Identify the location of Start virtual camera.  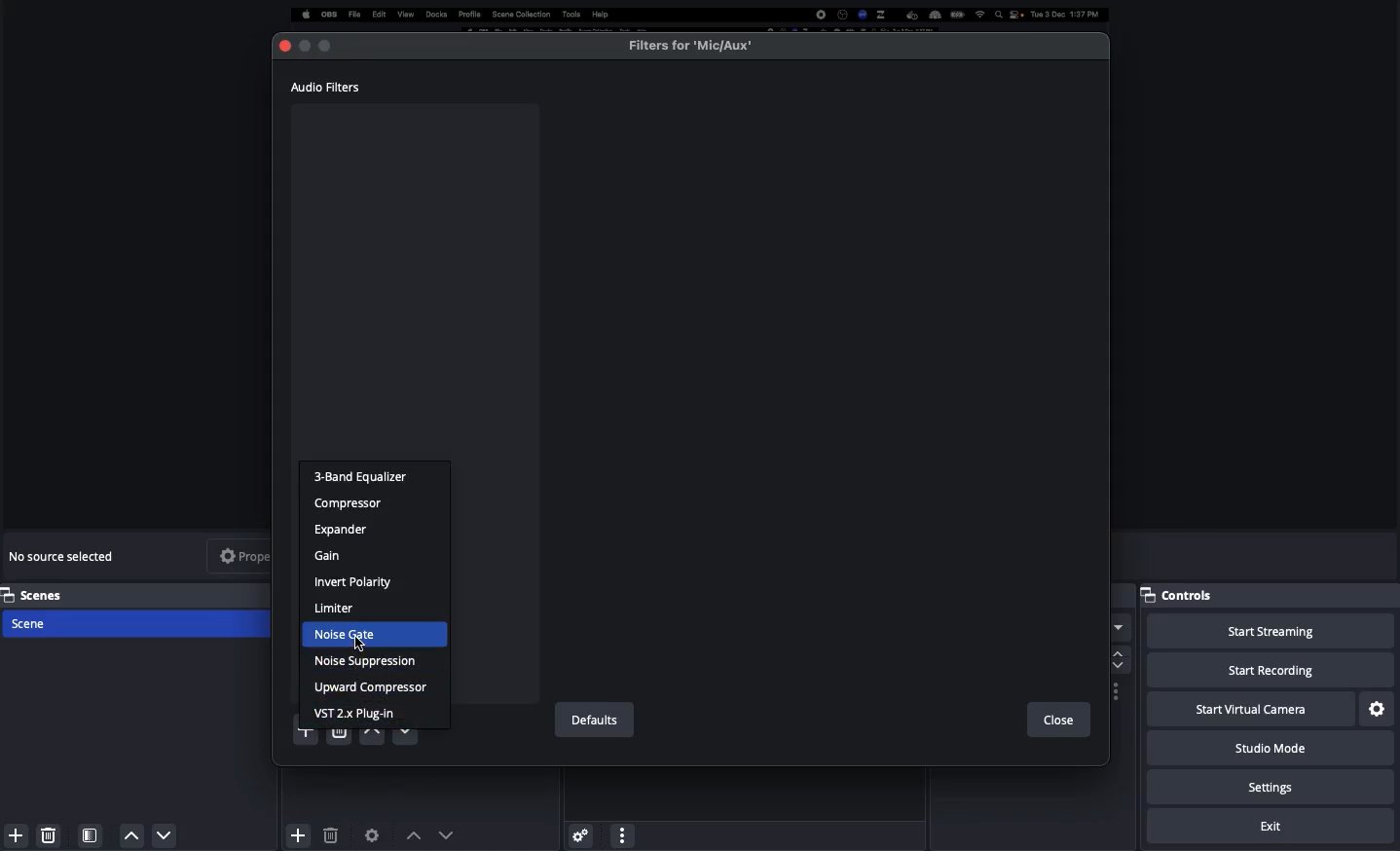
(1248, 710).